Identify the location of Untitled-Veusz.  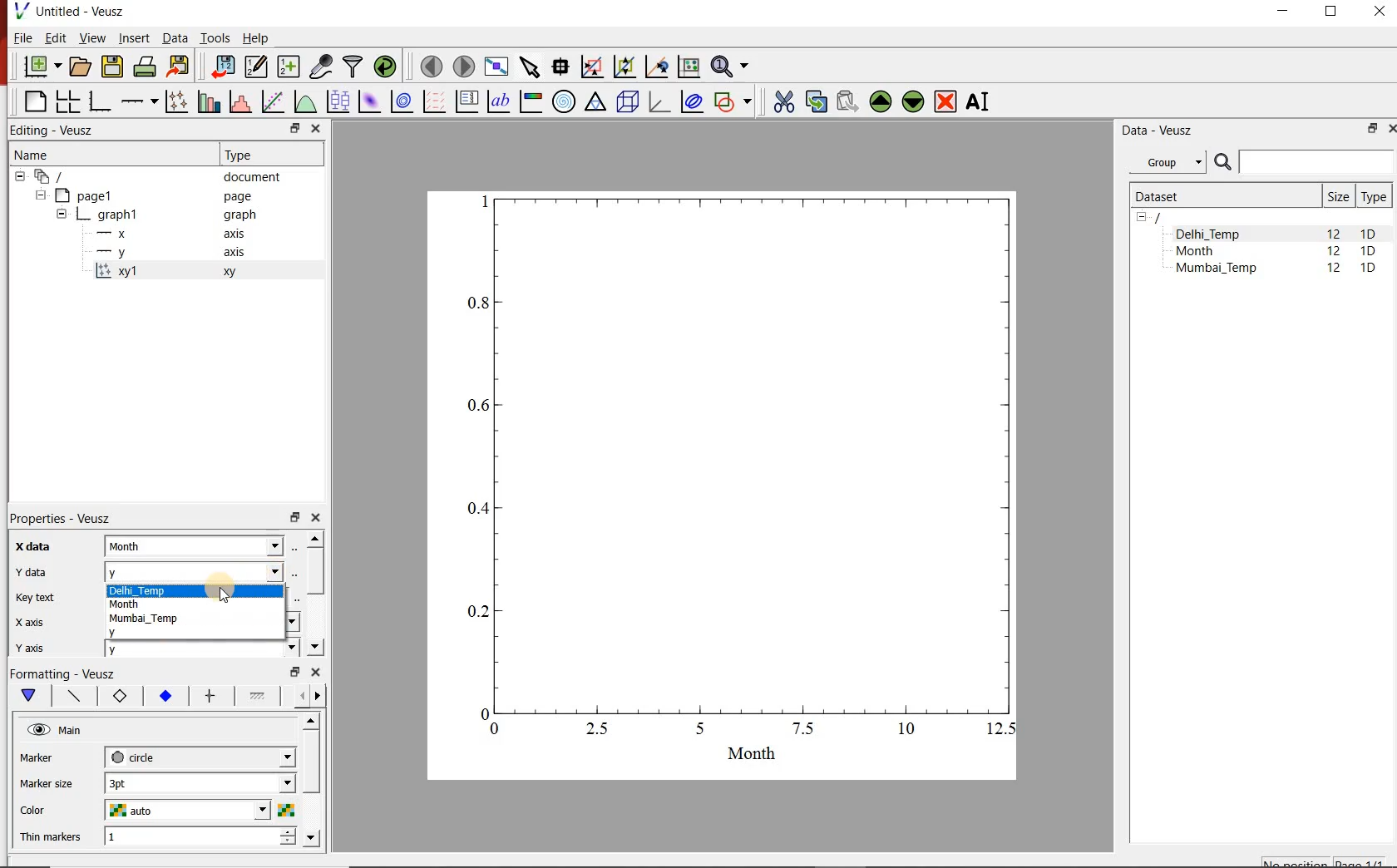
(74, 11).